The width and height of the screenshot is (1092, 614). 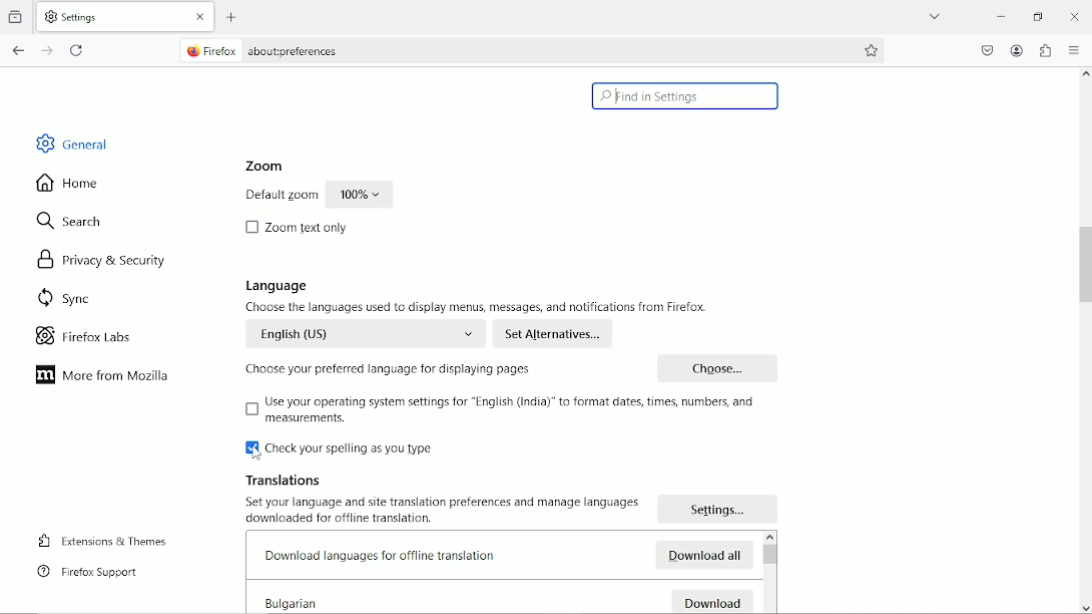 I want to click on Check your spelling as you type, so click(x=339, y=449).